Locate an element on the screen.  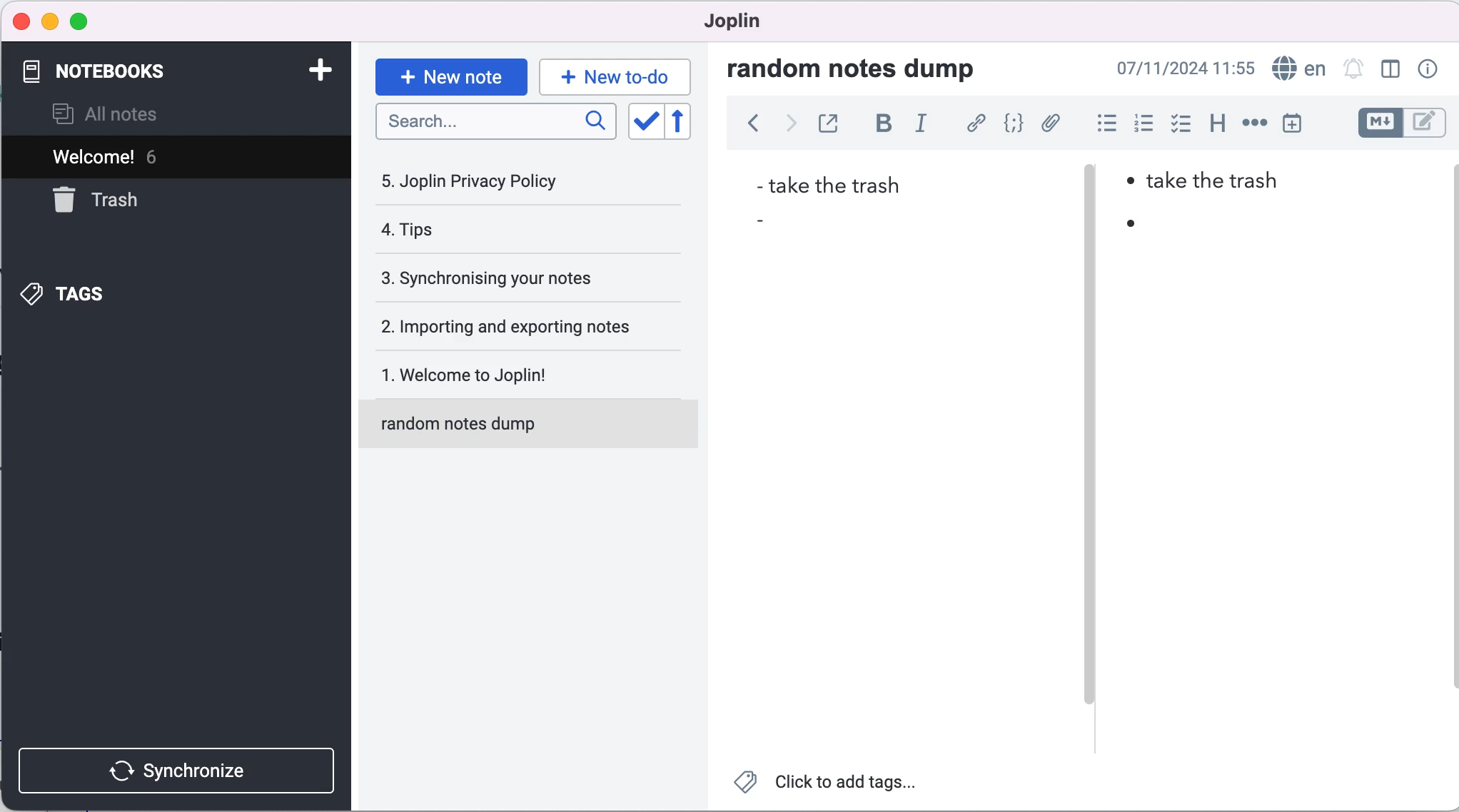
heading is located at coordinates (1213, 125).